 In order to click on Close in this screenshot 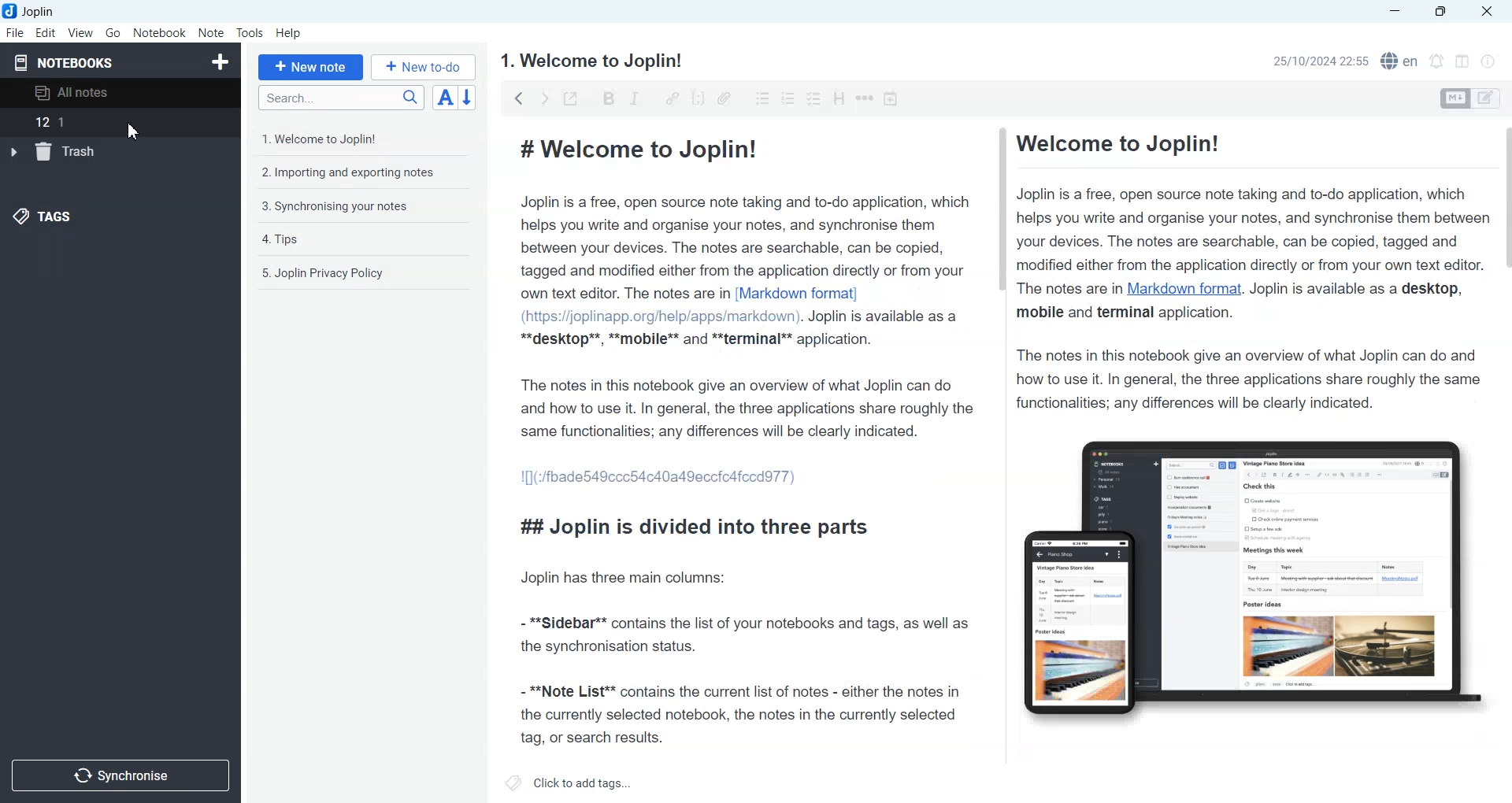, I will do `click(1485, 12)`.